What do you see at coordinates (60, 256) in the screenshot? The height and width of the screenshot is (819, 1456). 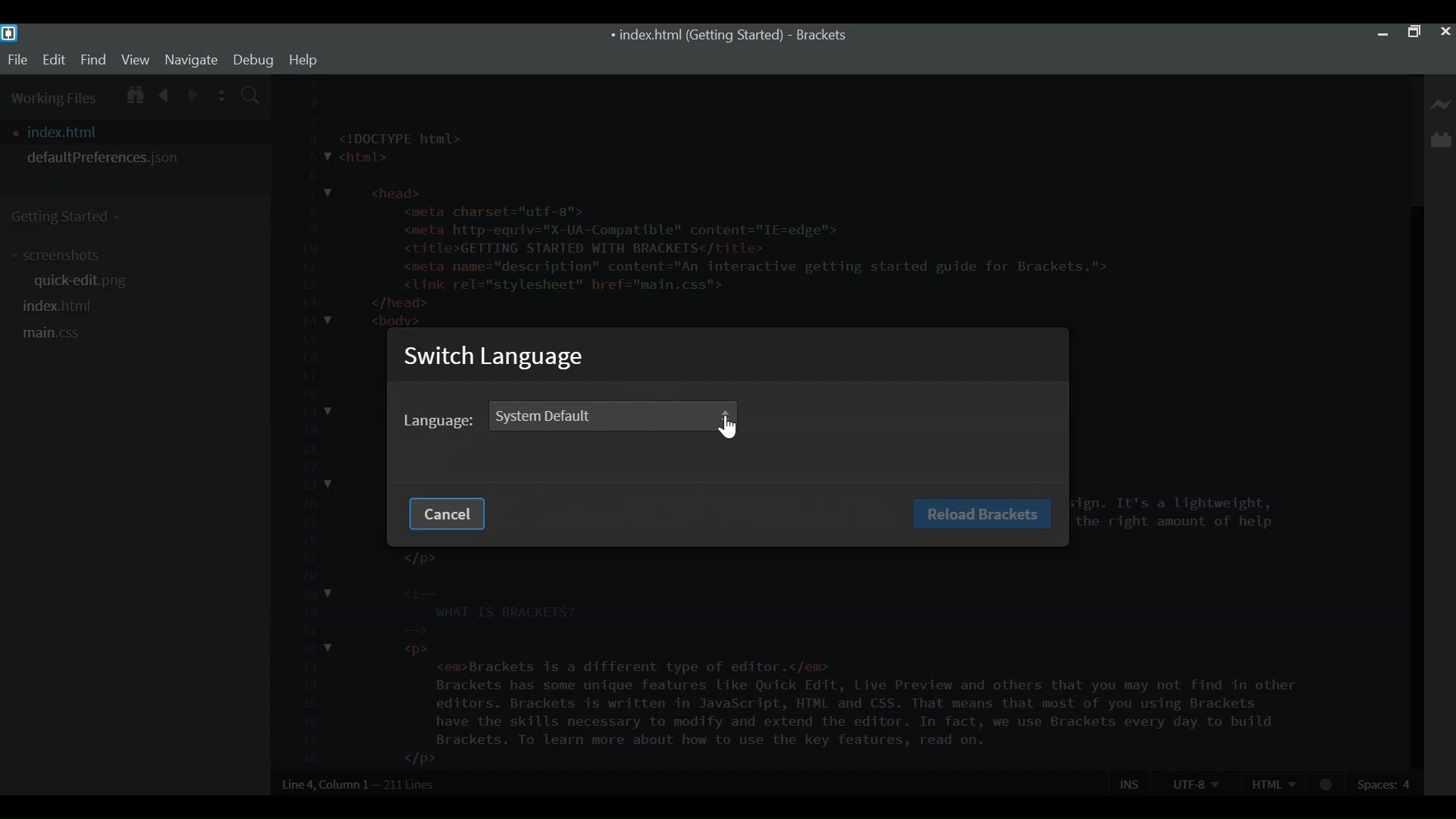 I see `screenshots` at bounding box center [60, 256].